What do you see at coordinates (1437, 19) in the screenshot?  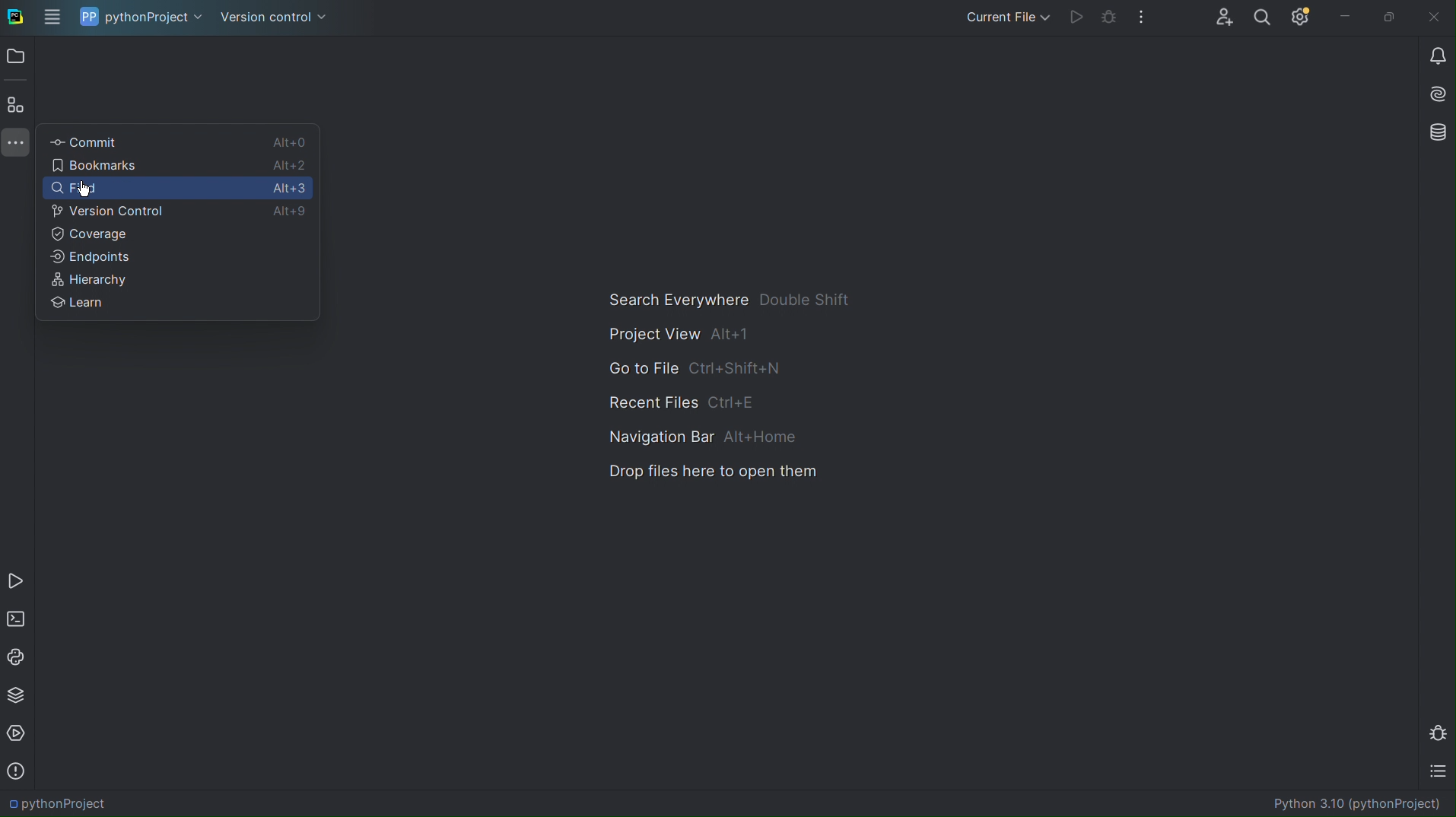 I see `Close` at bounding box center [1437, 19].